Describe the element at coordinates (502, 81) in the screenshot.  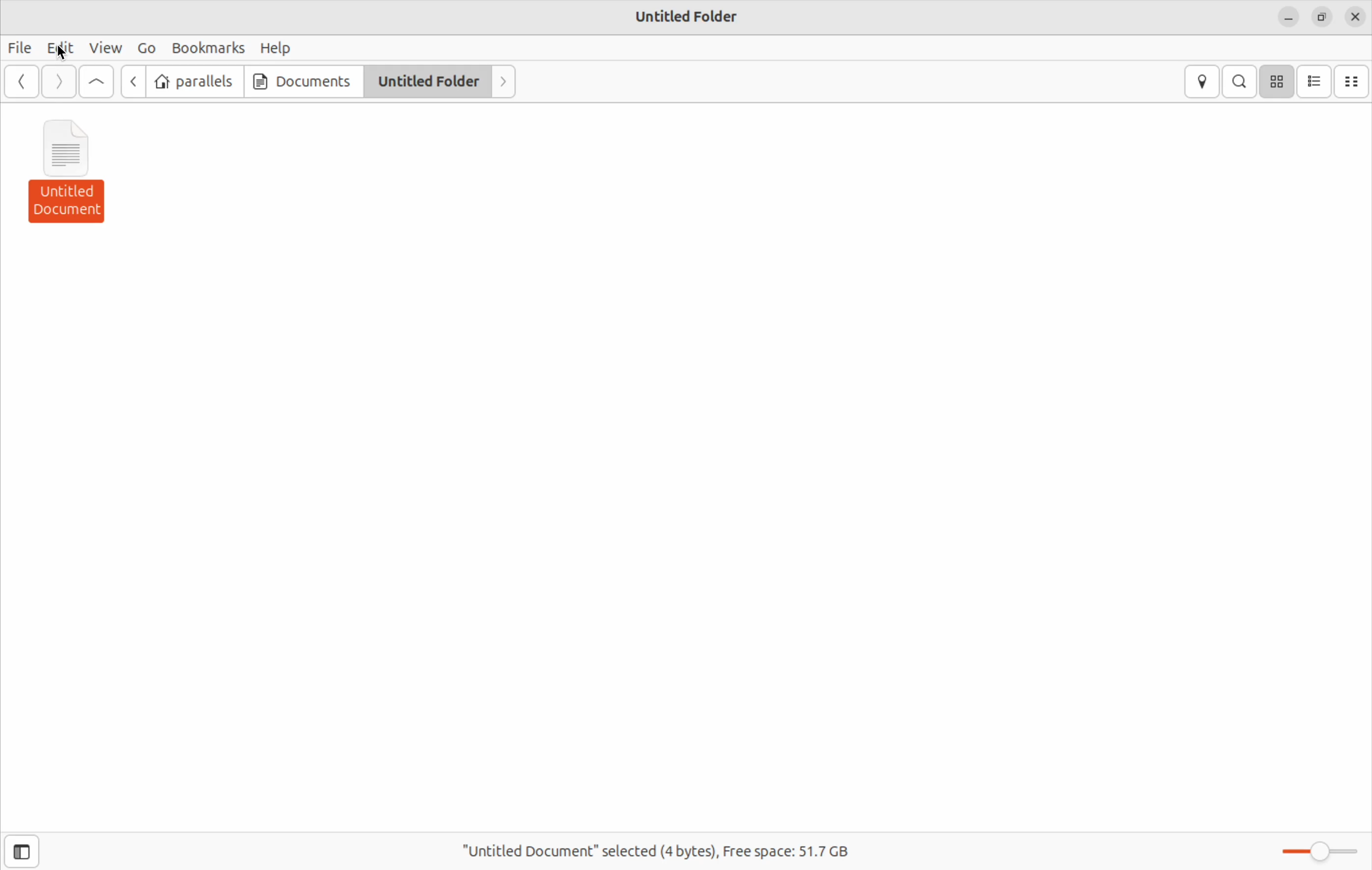
I see `Next` at that location.